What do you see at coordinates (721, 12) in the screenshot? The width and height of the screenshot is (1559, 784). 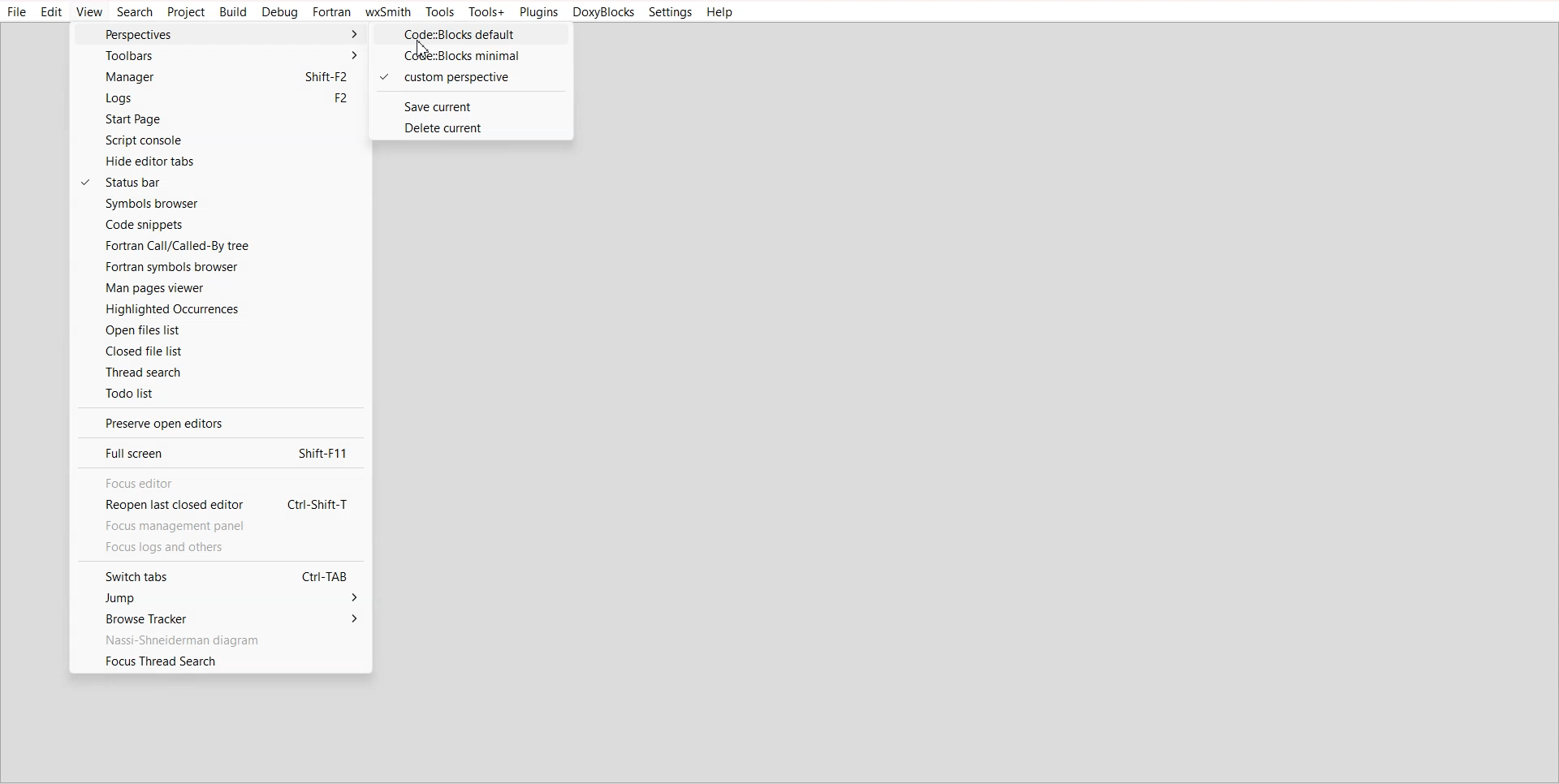 I see `Help` at bounding box center [721, 12].